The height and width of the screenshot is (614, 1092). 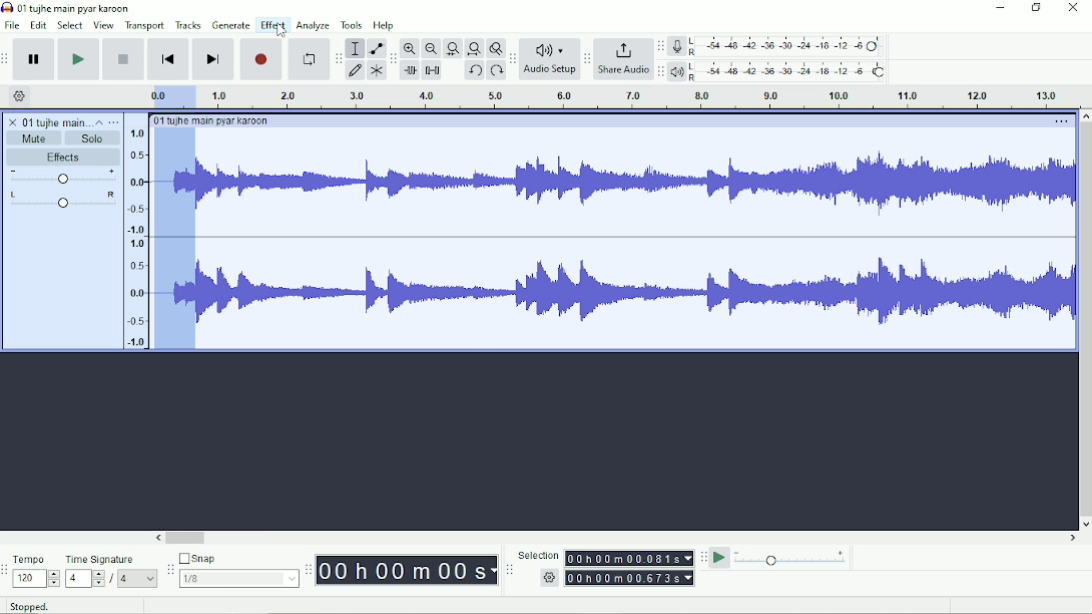 What do you see at coordinates (453, 50) in the screenshot?
I see `Fit selection to width` at bounding box center [453, 50].